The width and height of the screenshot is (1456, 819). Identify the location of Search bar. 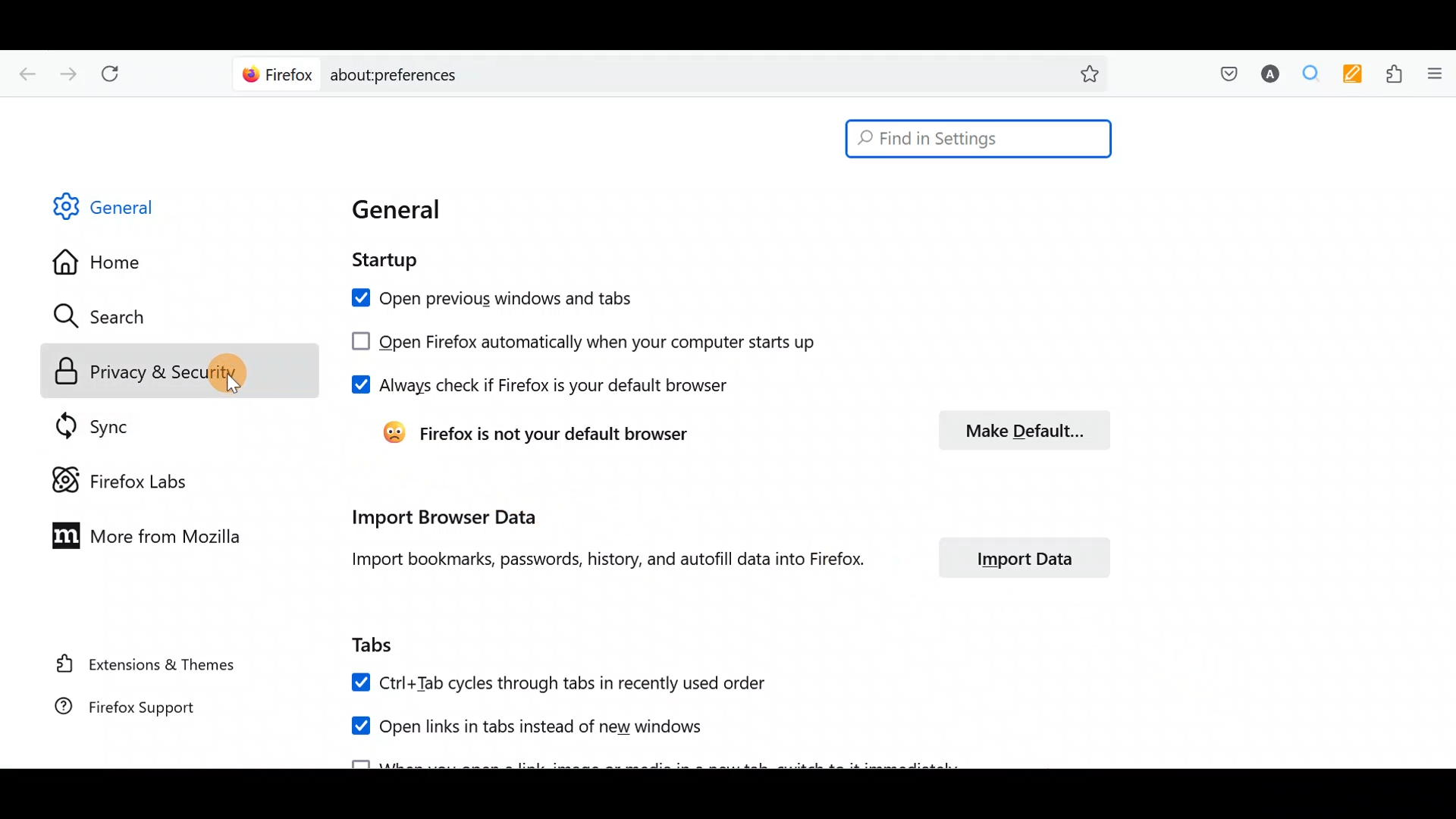
(971, 140).